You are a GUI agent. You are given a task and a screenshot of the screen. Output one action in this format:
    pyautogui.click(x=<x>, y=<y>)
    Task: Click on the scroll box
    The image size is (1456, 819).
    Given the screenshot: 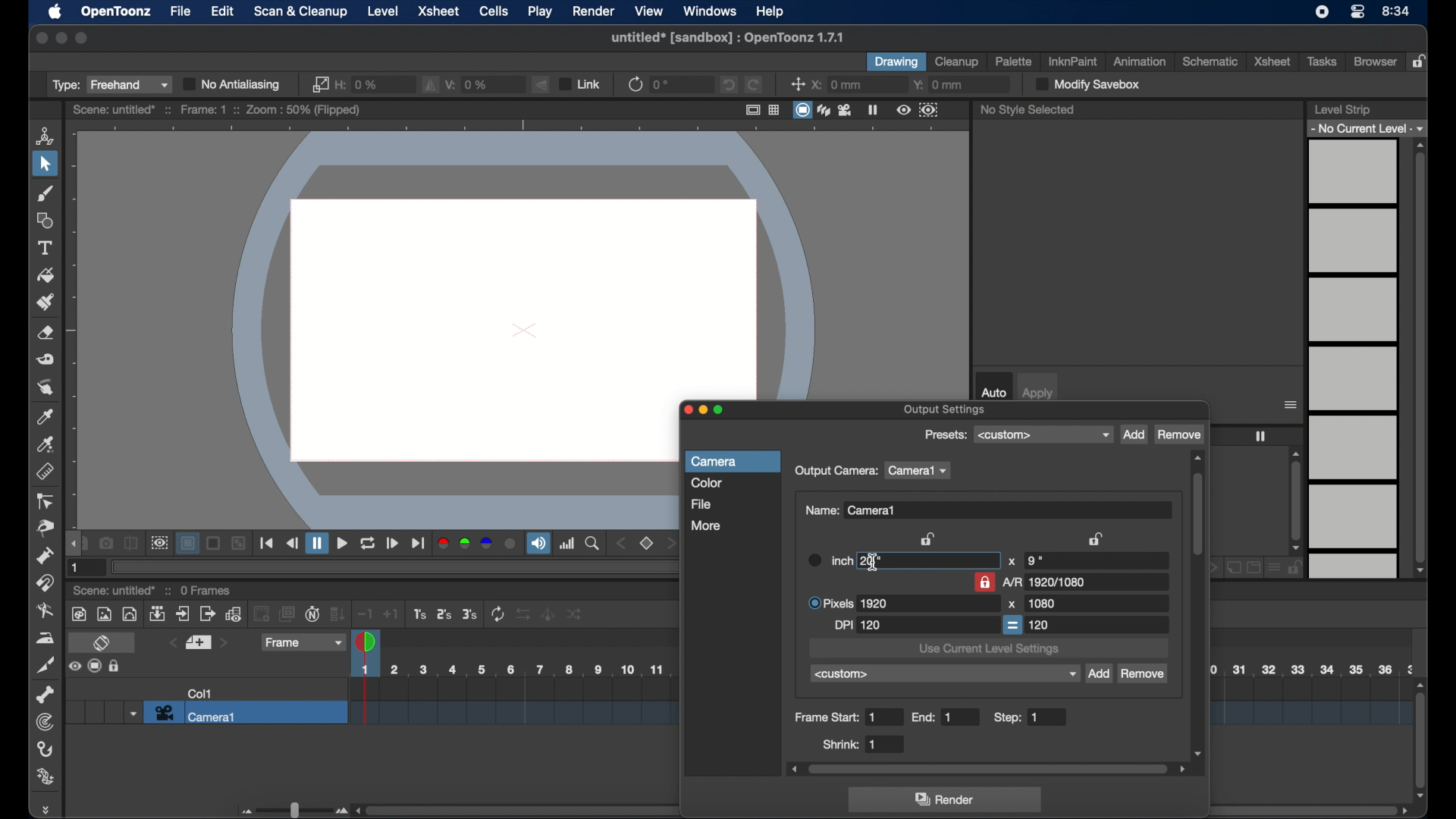 What is the action you would take?
    pyautogui.click(x=1296, y=500)
    